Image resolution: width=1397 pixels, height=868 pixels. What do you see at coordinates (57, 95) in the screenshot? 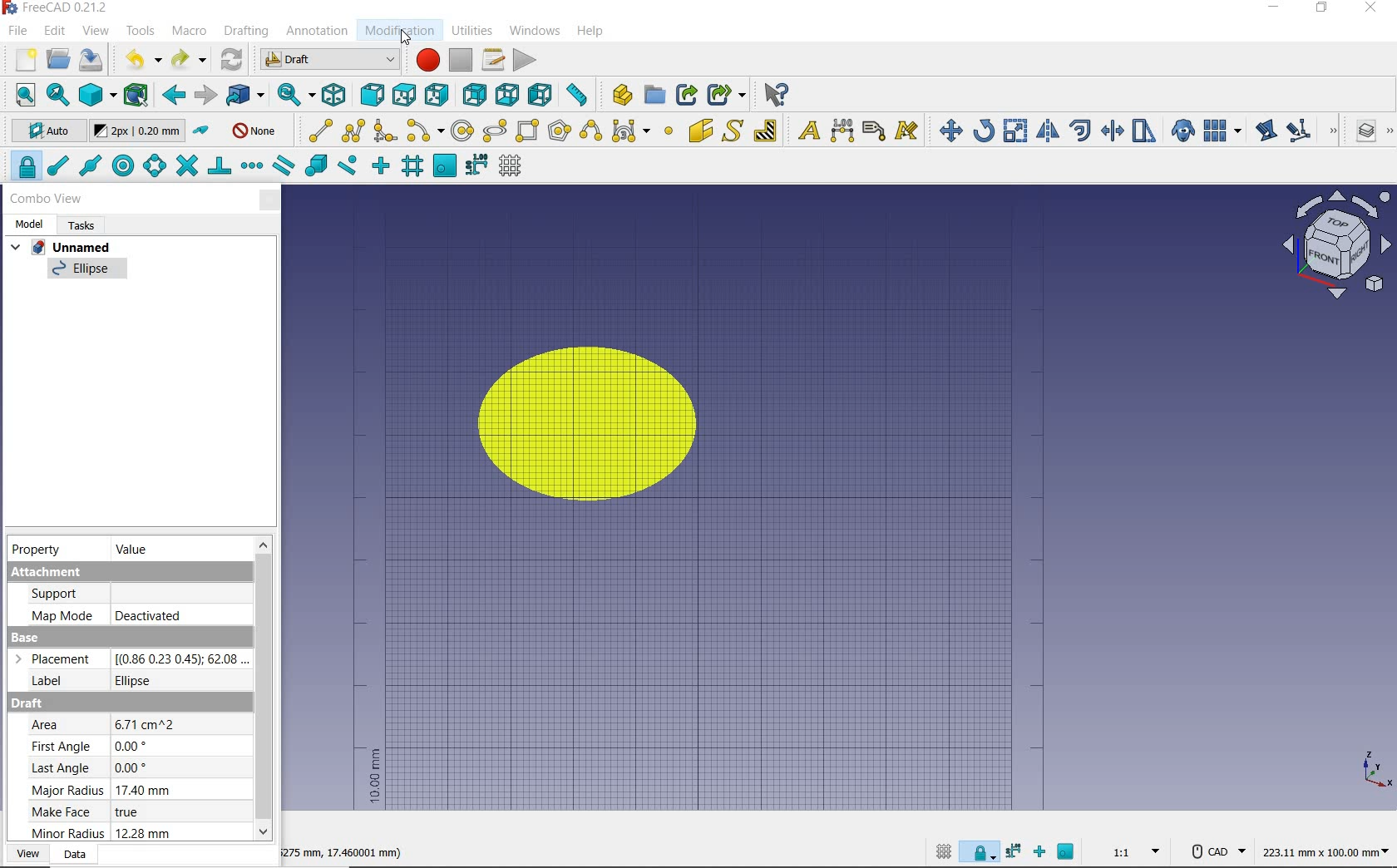
I see `fit selection` at bounding box center [57, 95].